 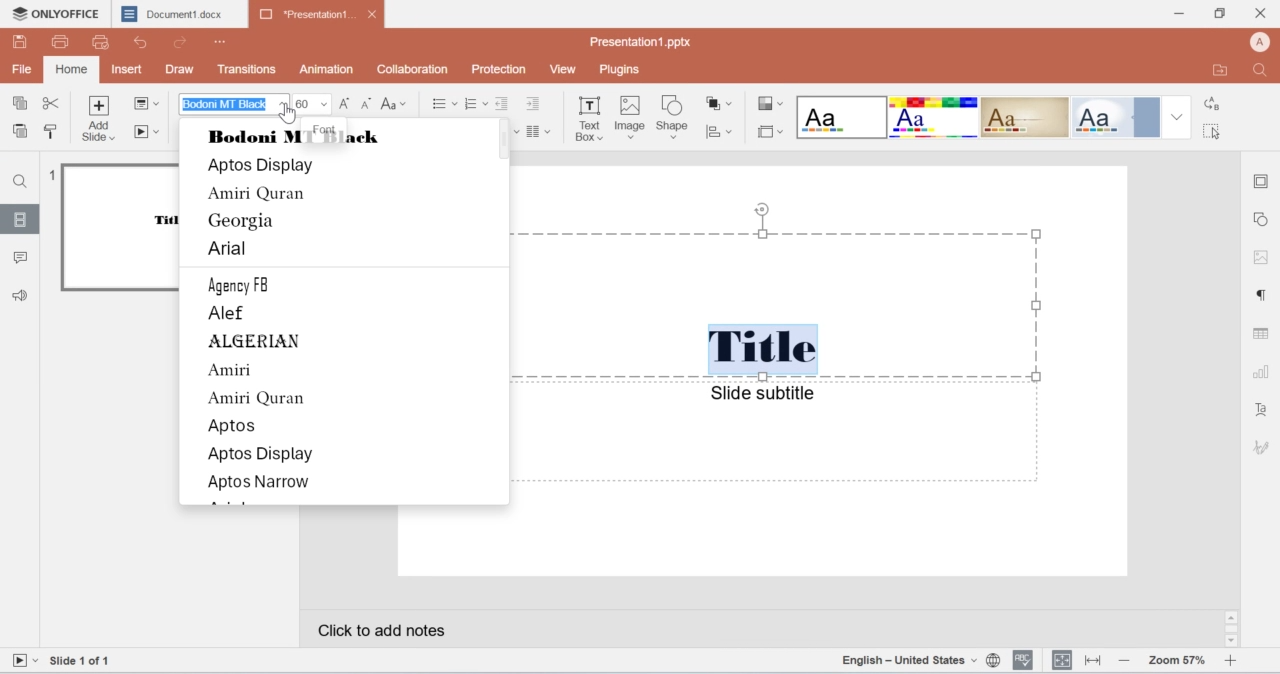 I want to click on text box, so click(x=589, y=122).